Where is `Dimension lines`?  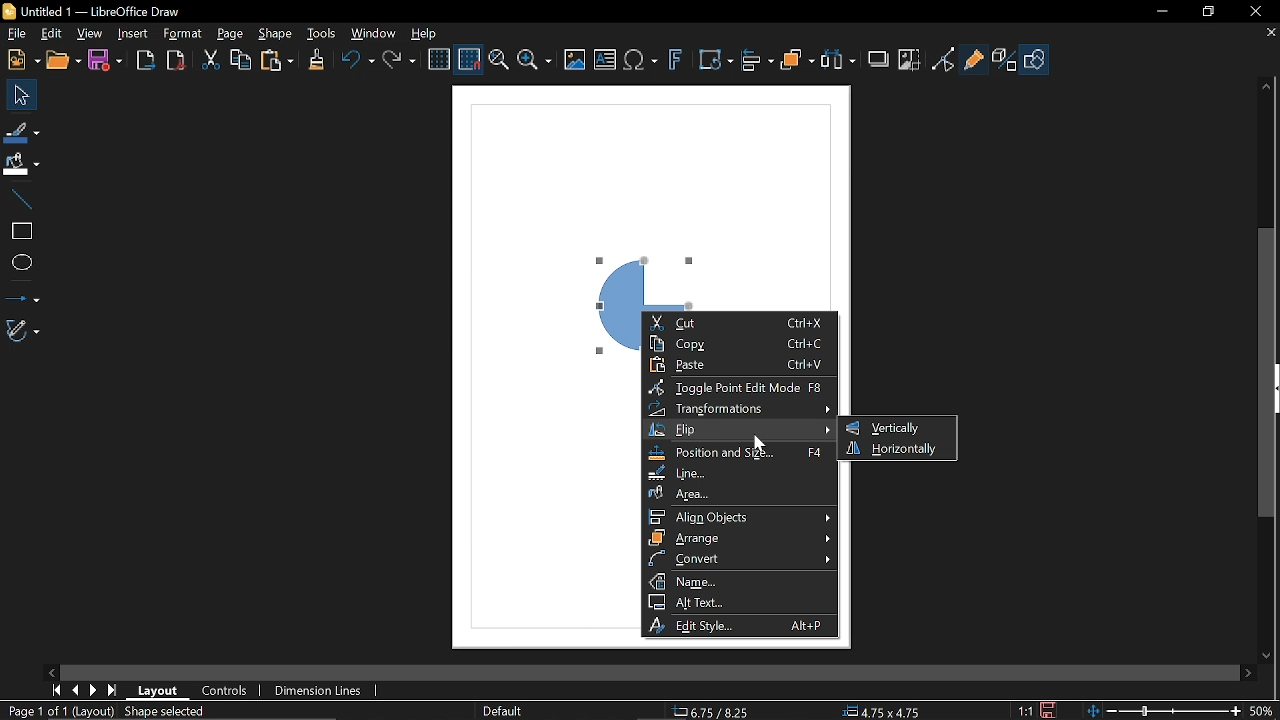 Dimension lines is located at coordinates (320, 688).